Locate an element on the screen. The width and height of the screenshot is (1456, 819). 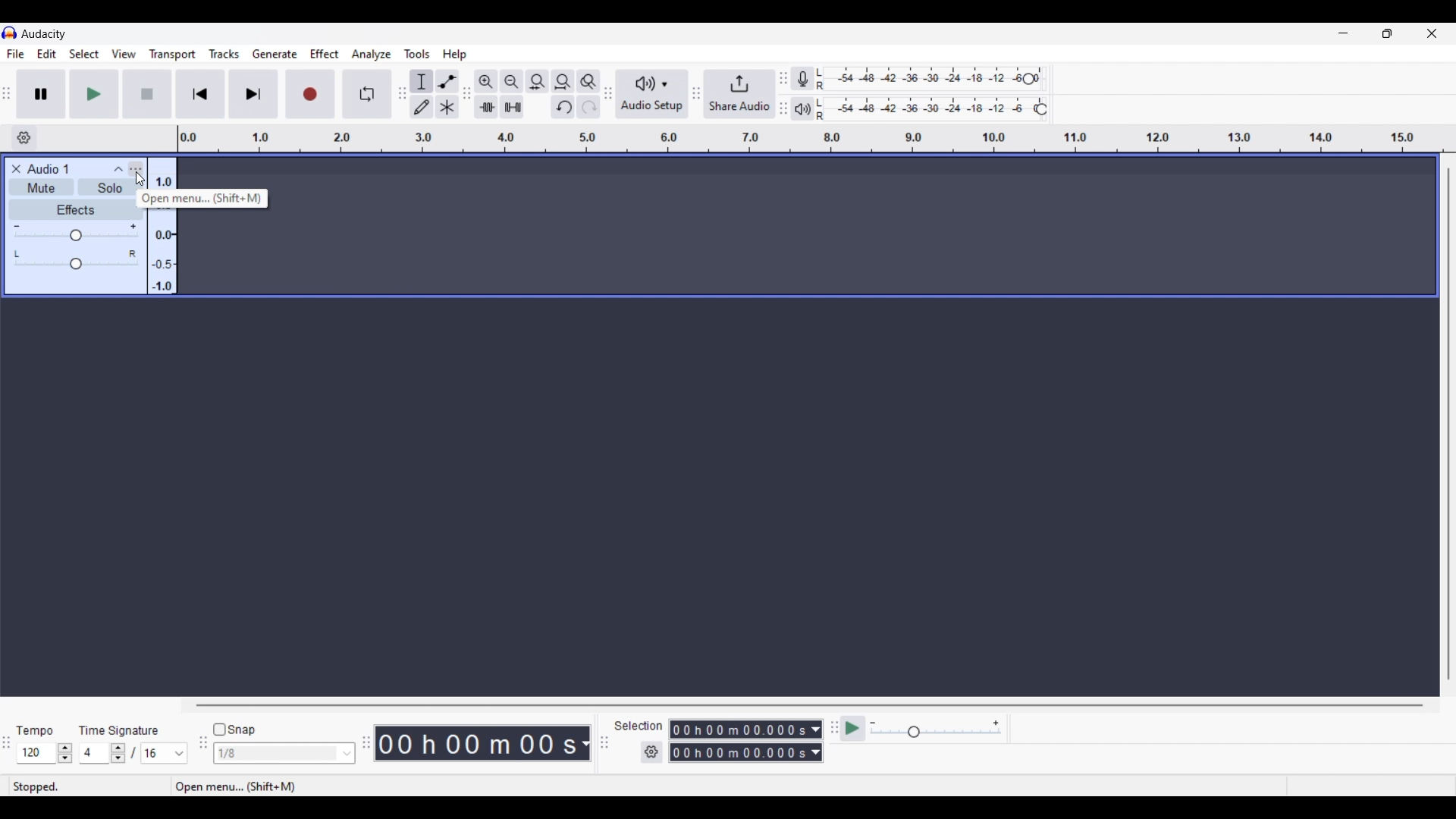
Multitool is located at coordinates (447, 108).